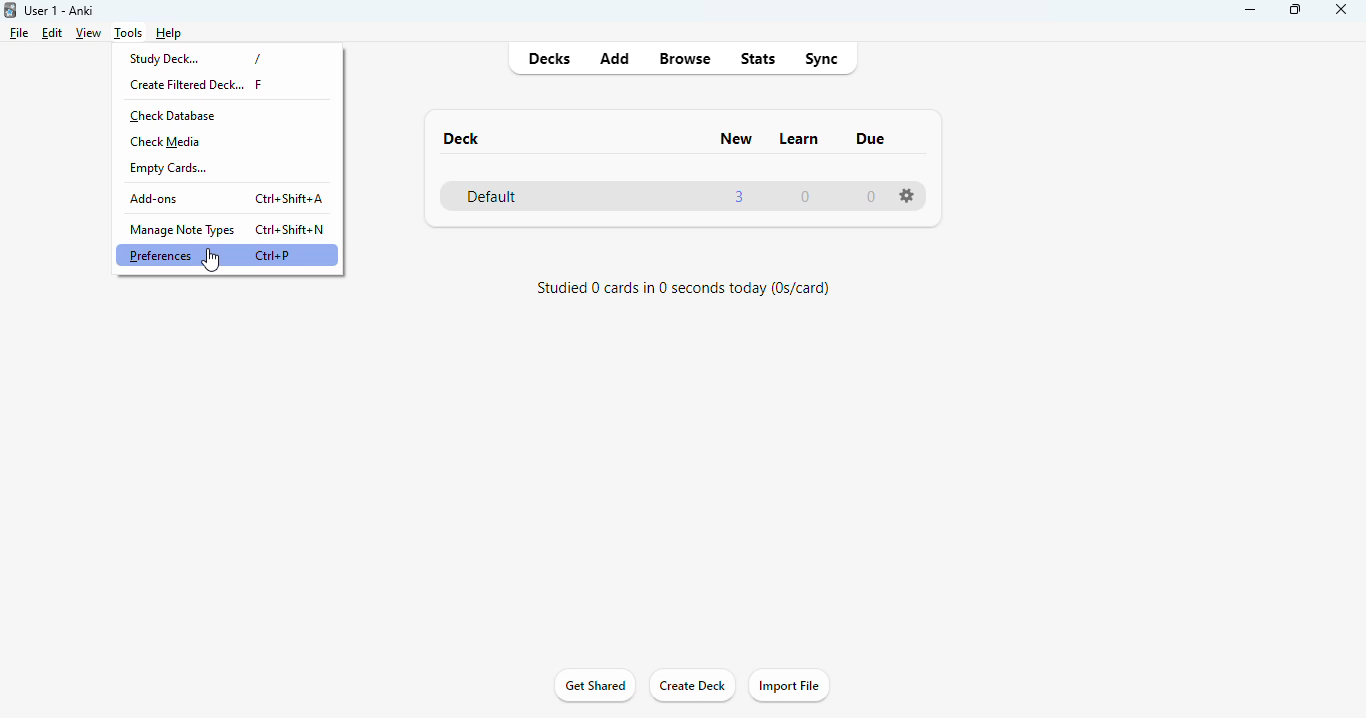  I want to click on 3, so click(740, 196).